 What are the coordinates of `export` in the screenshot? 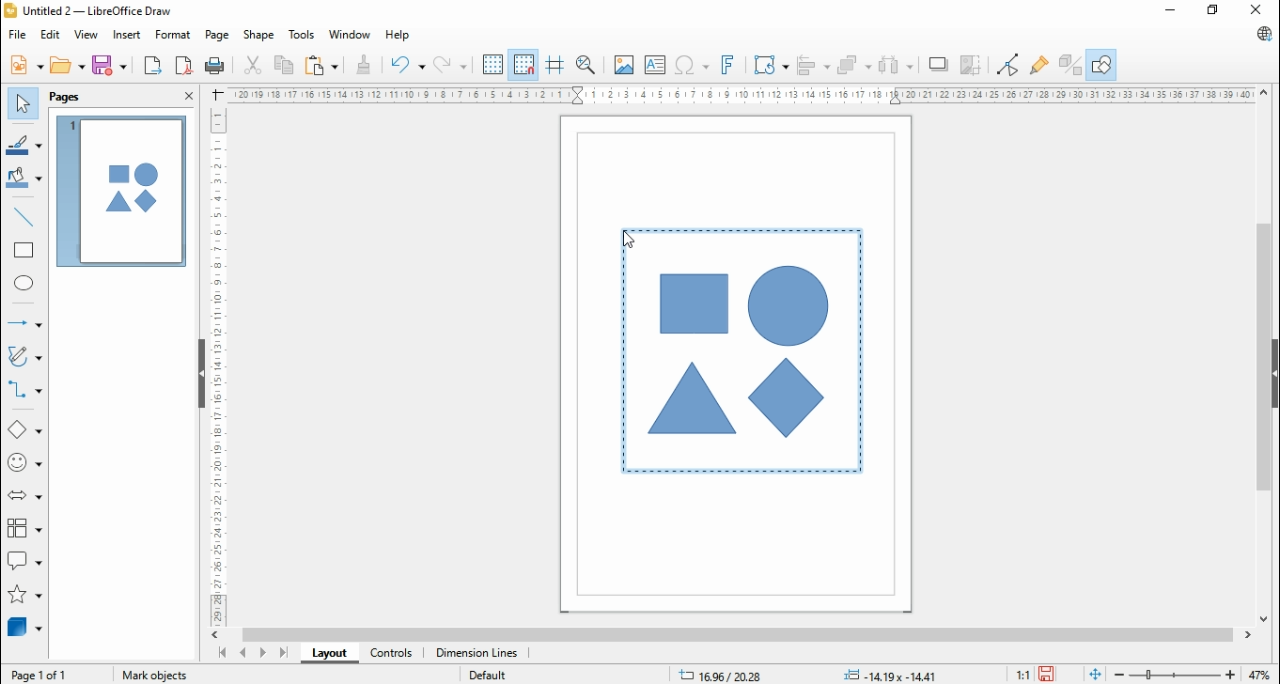 It's located at (153, 65).